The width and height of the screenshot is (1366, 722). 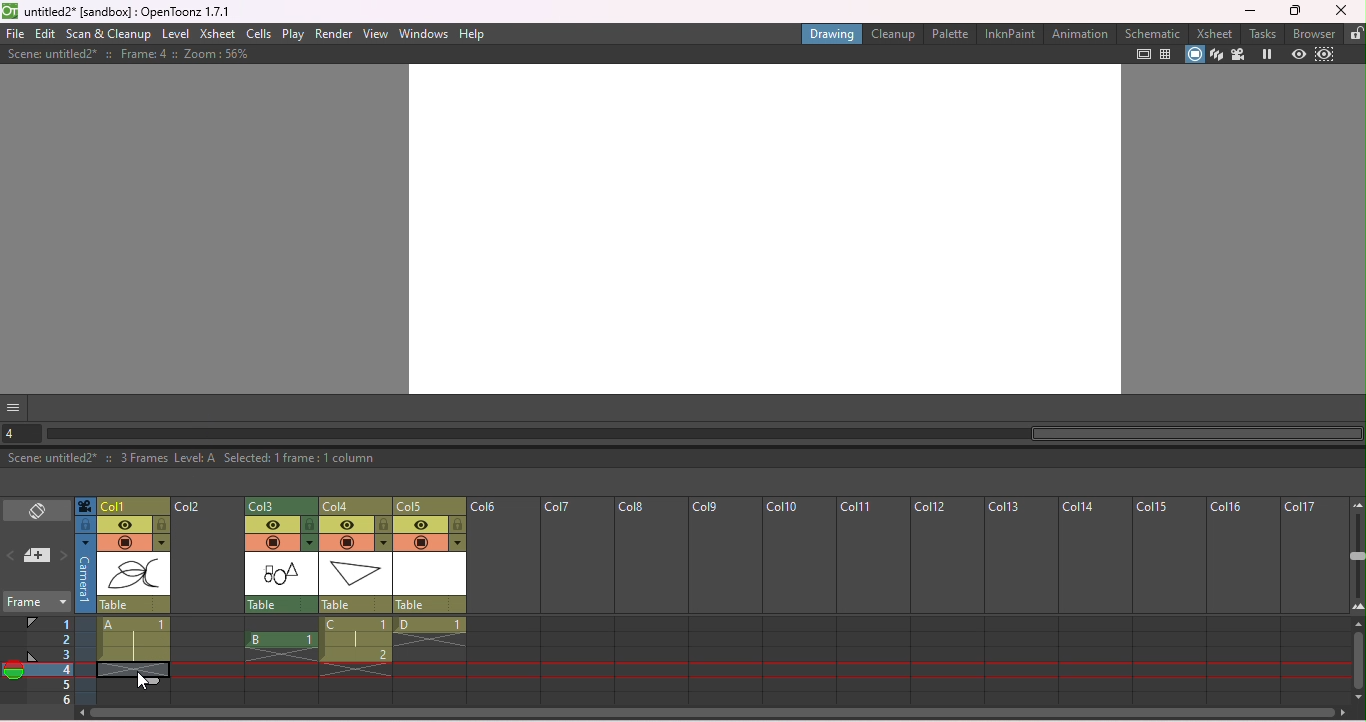 I want to click on column 11, so click(x=873, y=602).